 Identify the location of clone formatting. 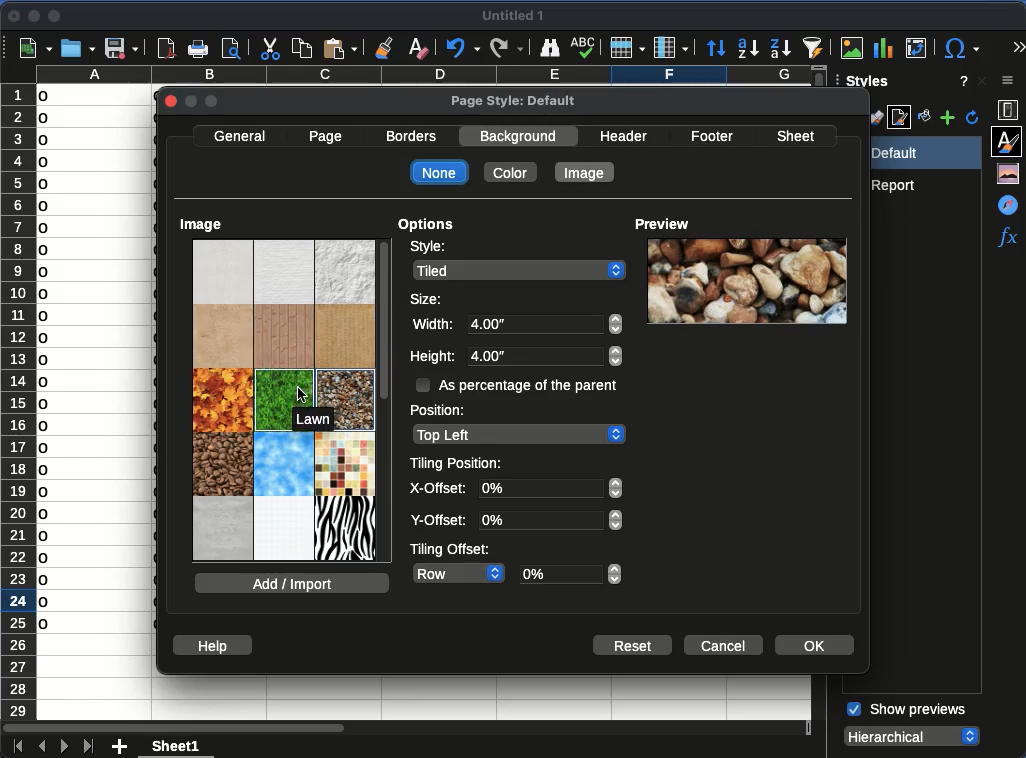
(384, 47).